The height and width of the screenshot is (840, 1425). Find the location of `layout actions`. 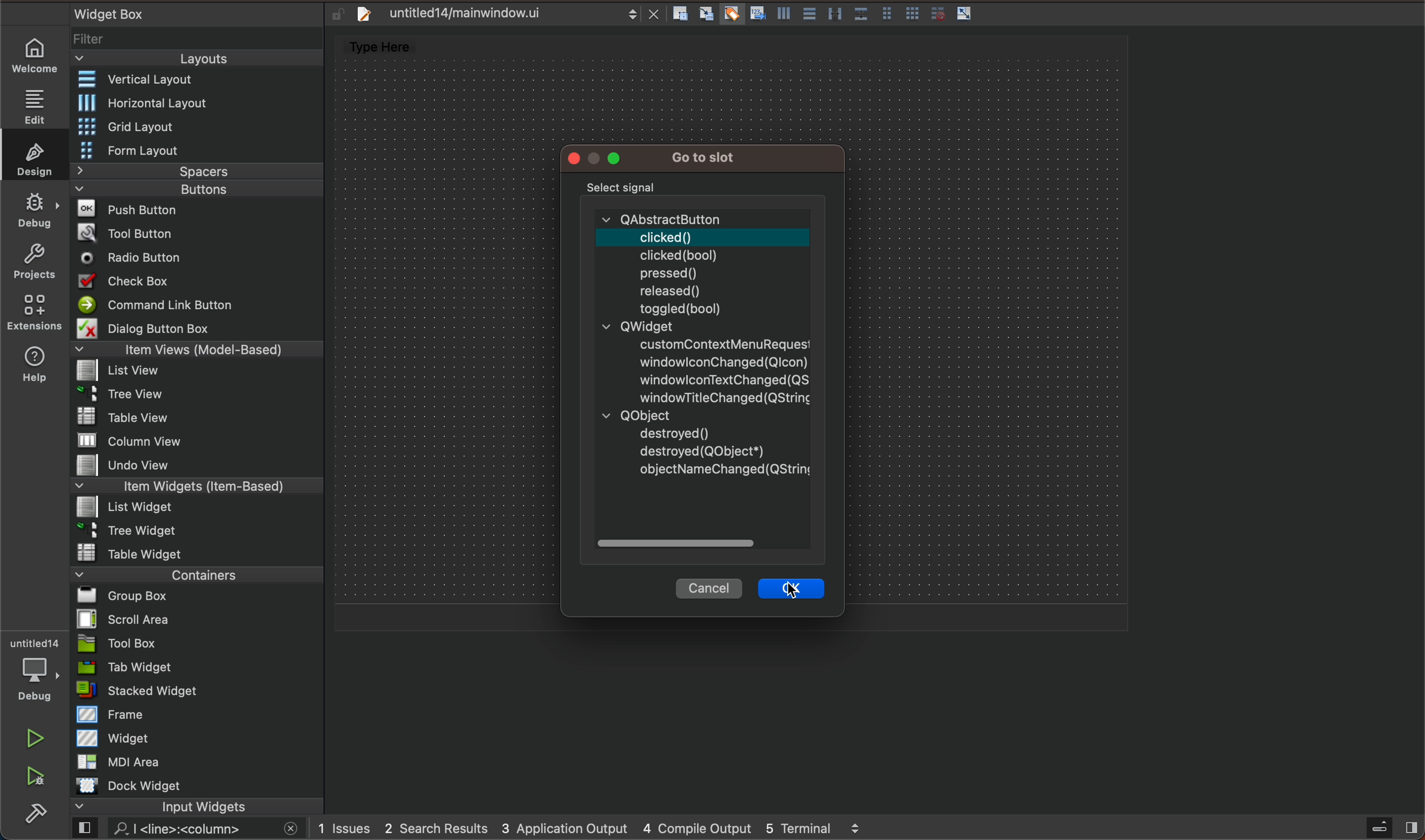

layout actions is located at coordinates (975, 14).